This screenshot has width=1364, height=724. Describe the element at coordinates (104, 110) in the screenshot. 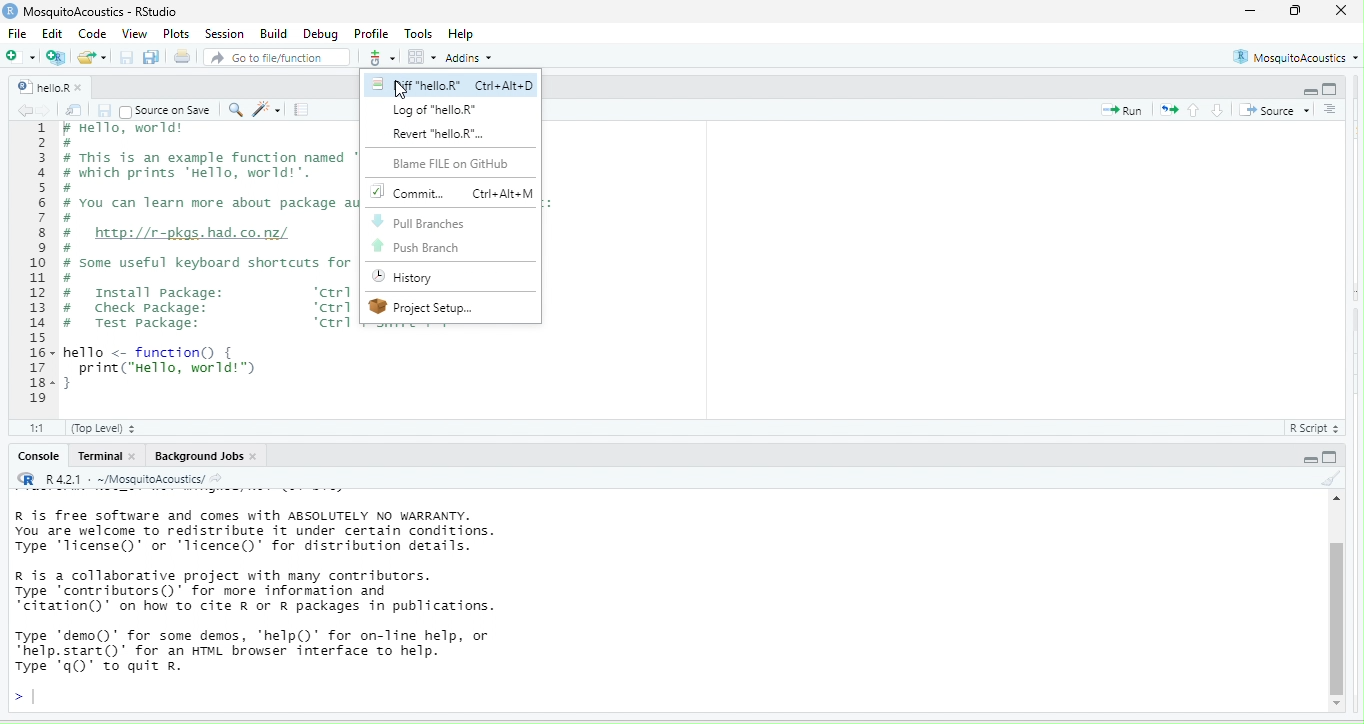

I see `save current document` at that location.